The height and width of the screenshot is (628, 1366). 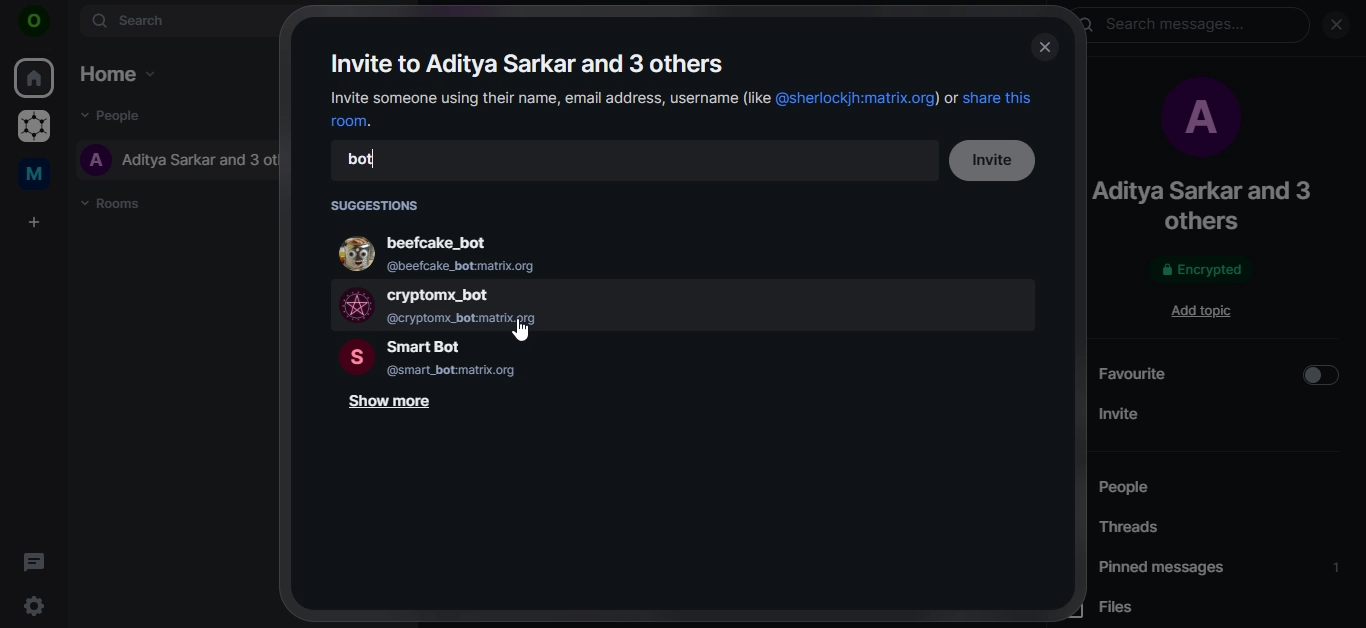 I want to click on close, so click(x=1336, y=26).